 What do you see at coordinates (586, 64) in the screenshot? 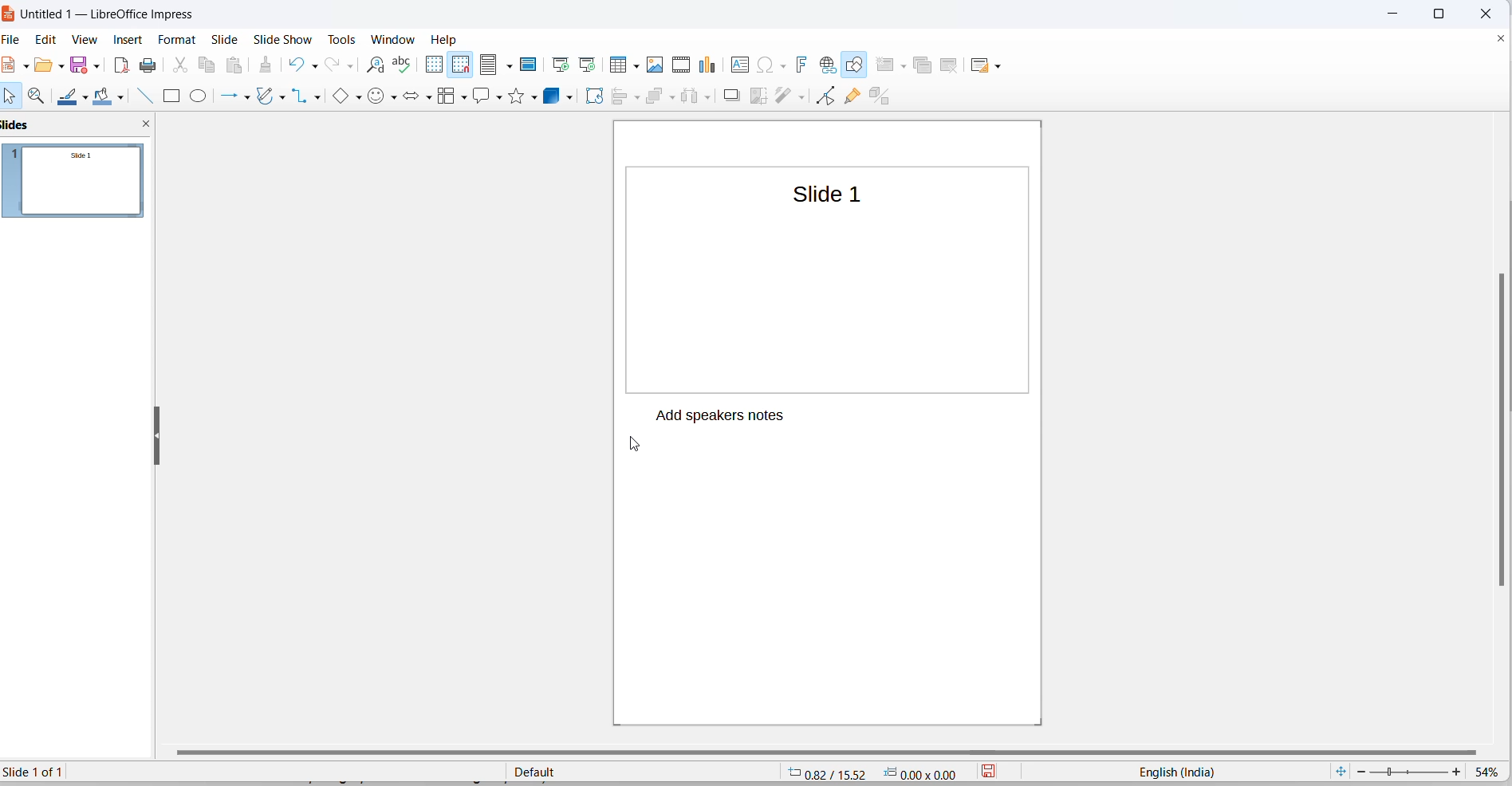
I see `start from current slide` at bounding box center [586, 64].